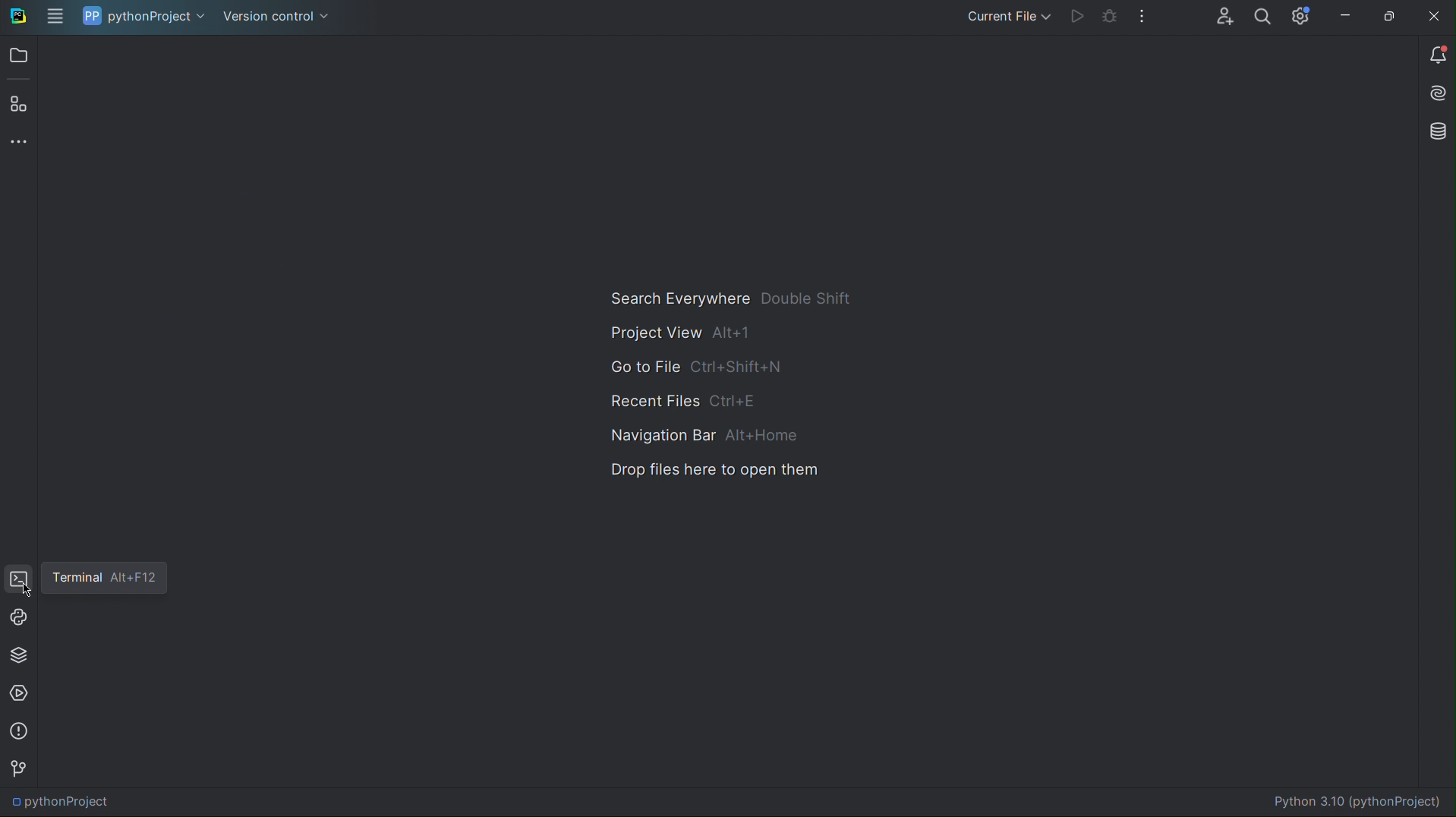 Image resolution: width=1456 pixels, height=817 pixels. Describe the element at coordinates (20, 693) in the screenshot. I see `Services` at that location.